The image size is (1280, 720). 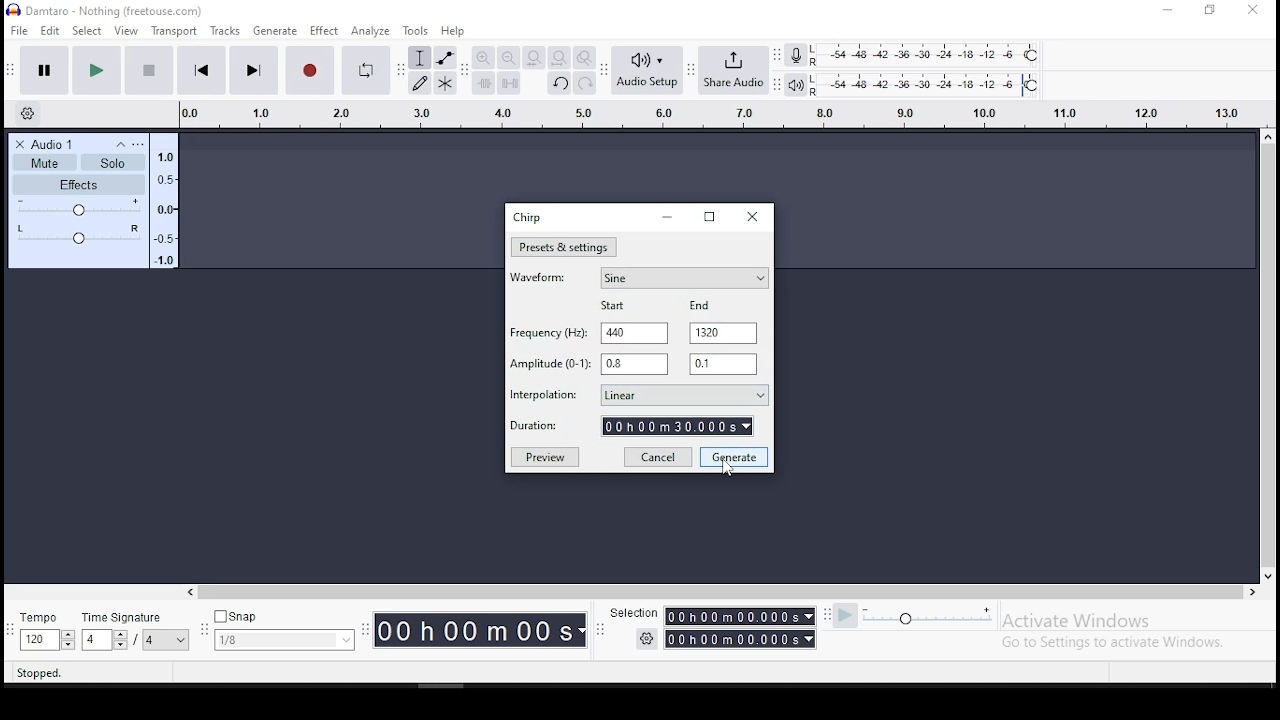 What do you see at coordinates (31, 115) in the screenshot?
I see `timeline settings` at bounding box center [31, 115].